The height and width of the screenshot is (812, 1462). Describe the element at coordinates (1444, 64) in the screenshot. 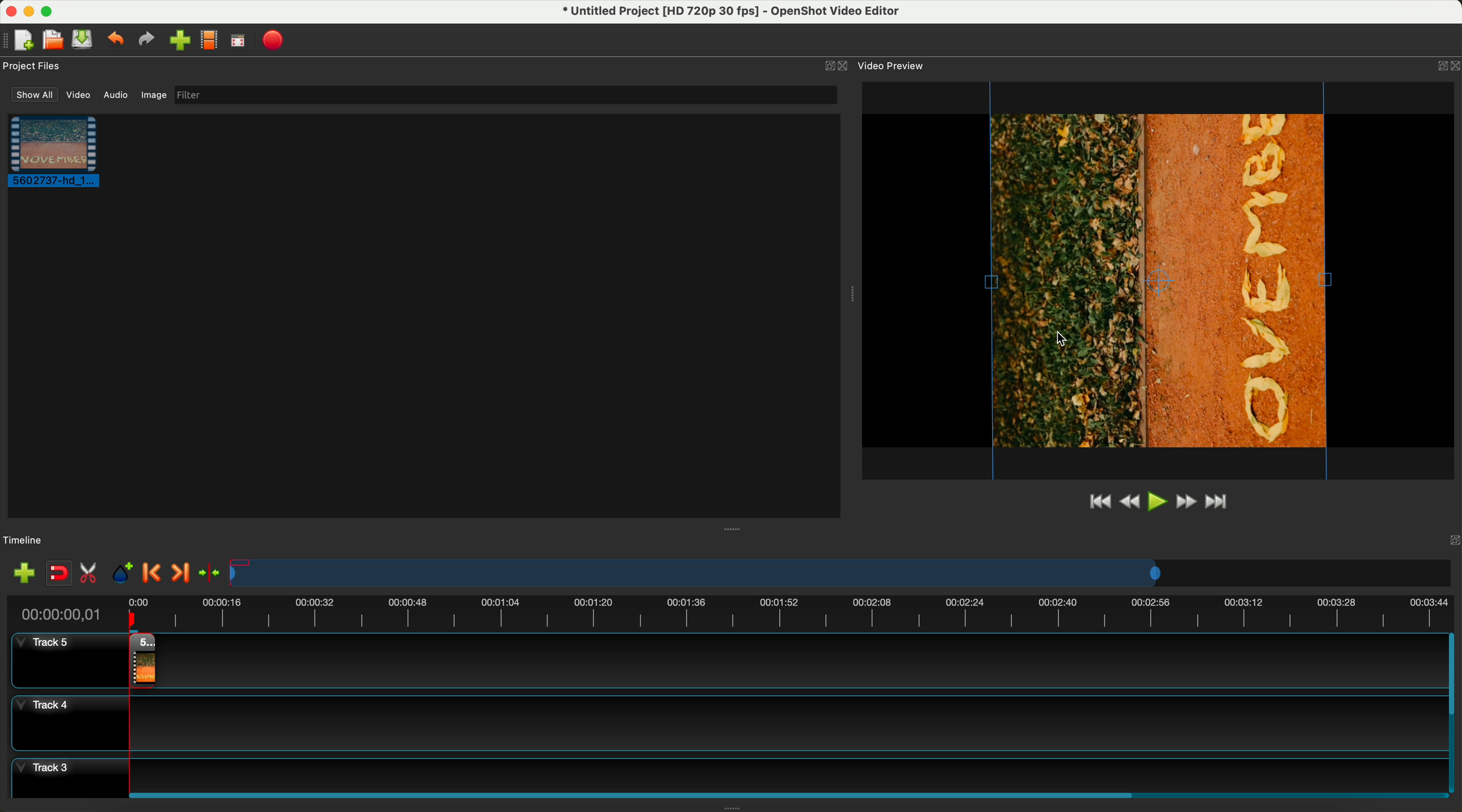

I see `` at that location.